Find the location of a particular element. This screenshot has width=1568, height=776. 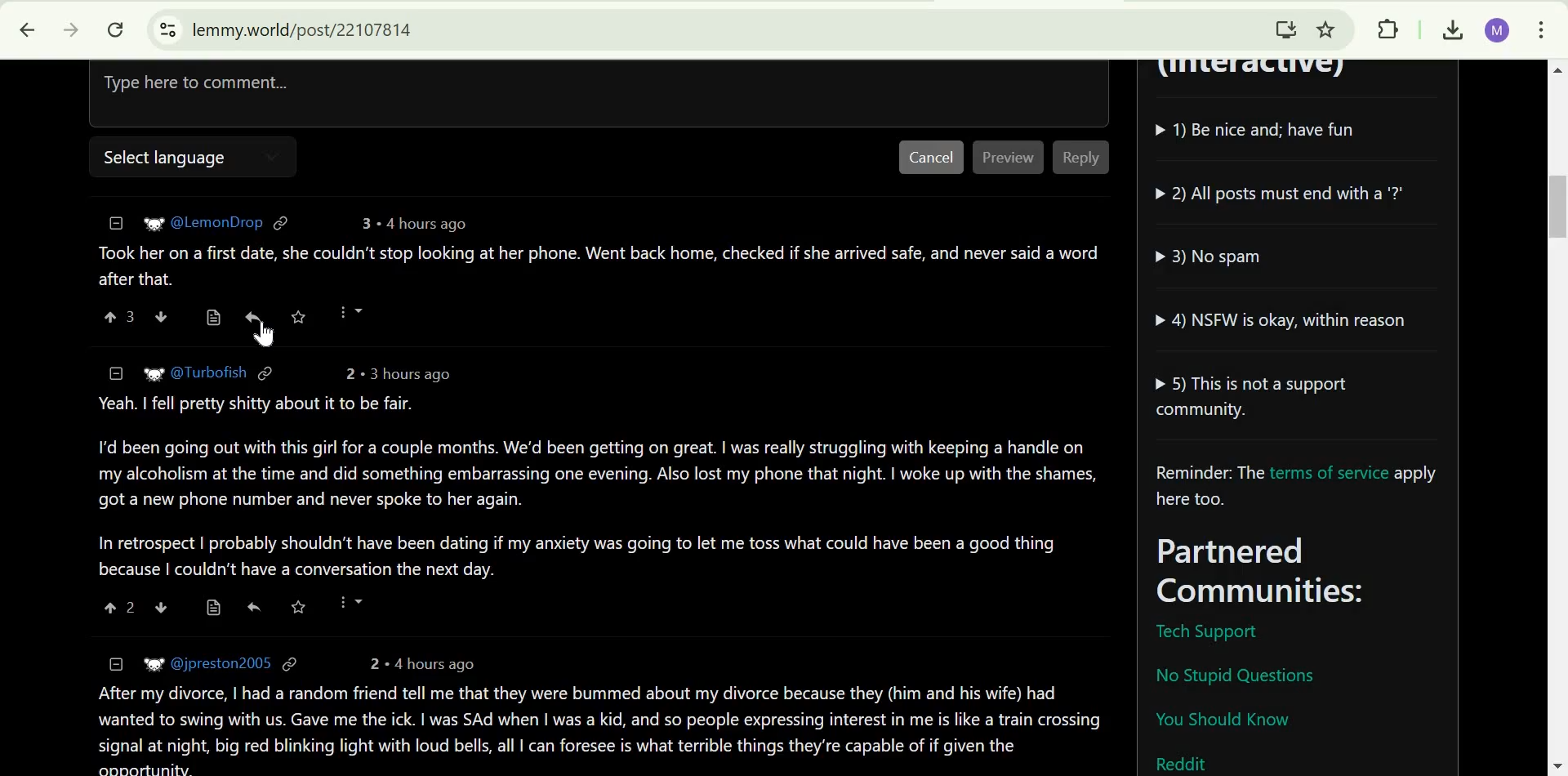

upvote is located at coordinates (121, 316).